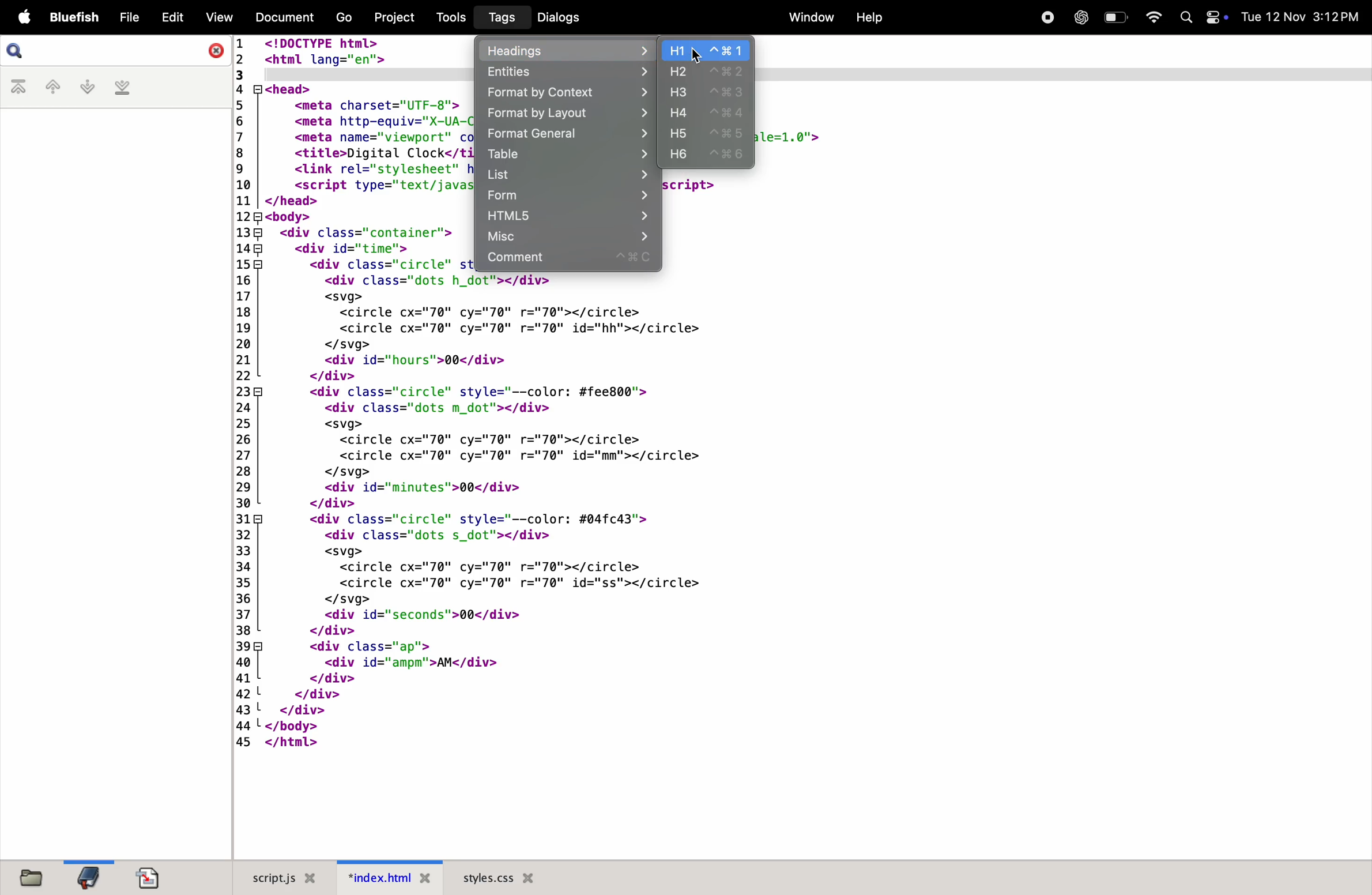 Image resolution: width=1372 pixels, height=895 pixels. I want to click on Html5, so click(566, 217).